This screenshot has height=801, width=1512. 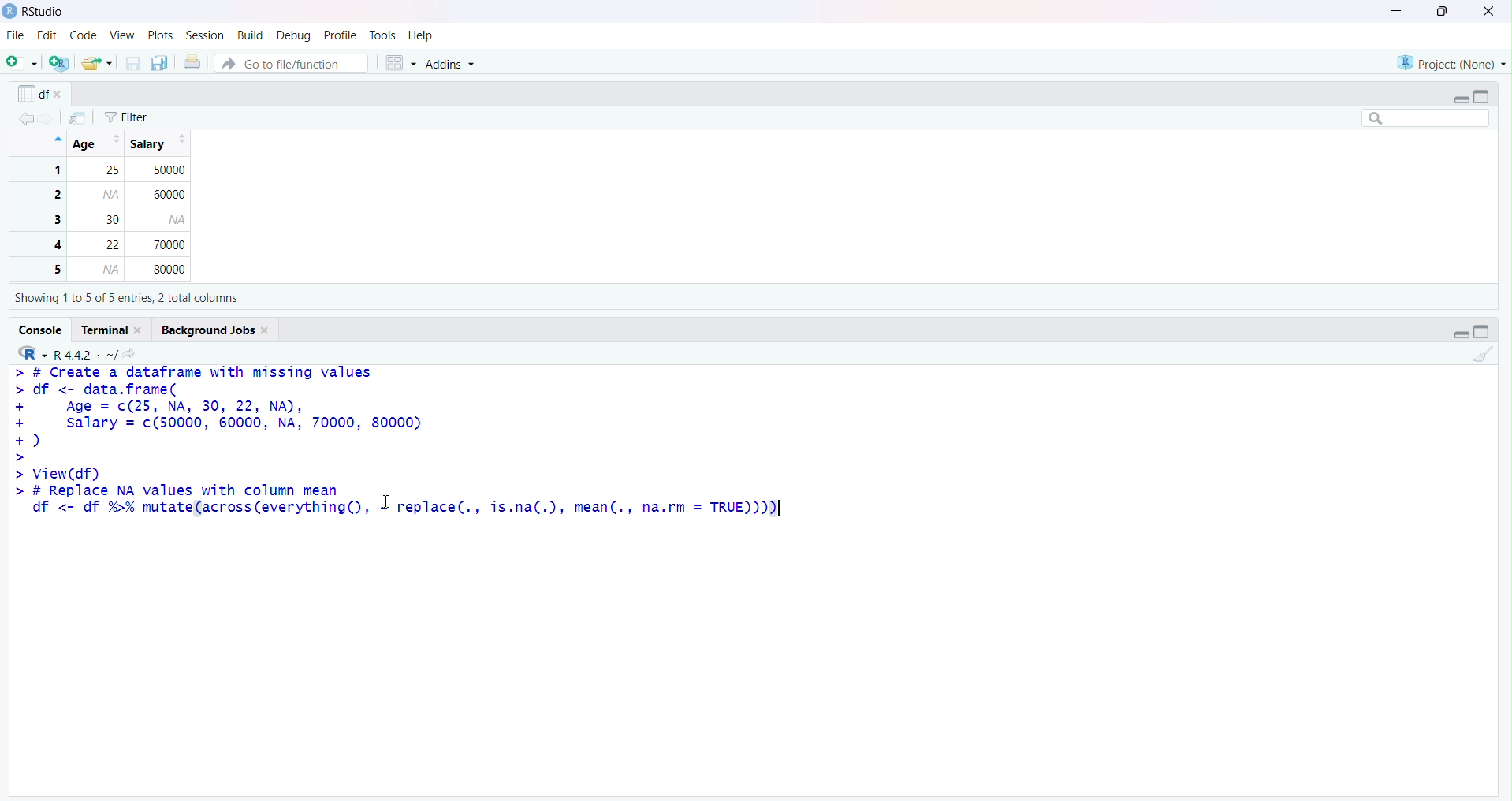 I want to click on View the current working directory, so click(x=134, y=352).